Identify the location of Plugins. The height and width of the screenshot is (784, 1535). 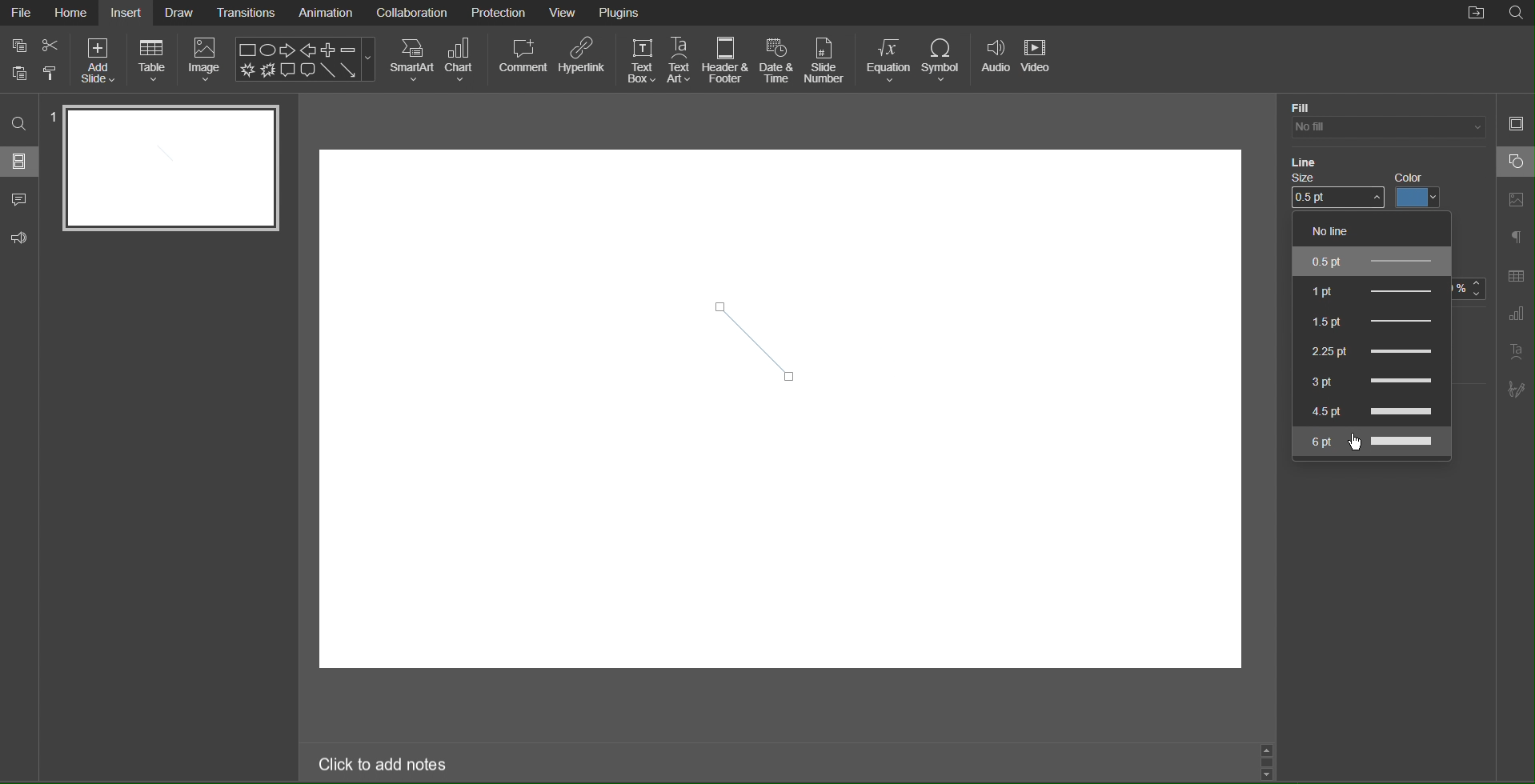
(622, 13).